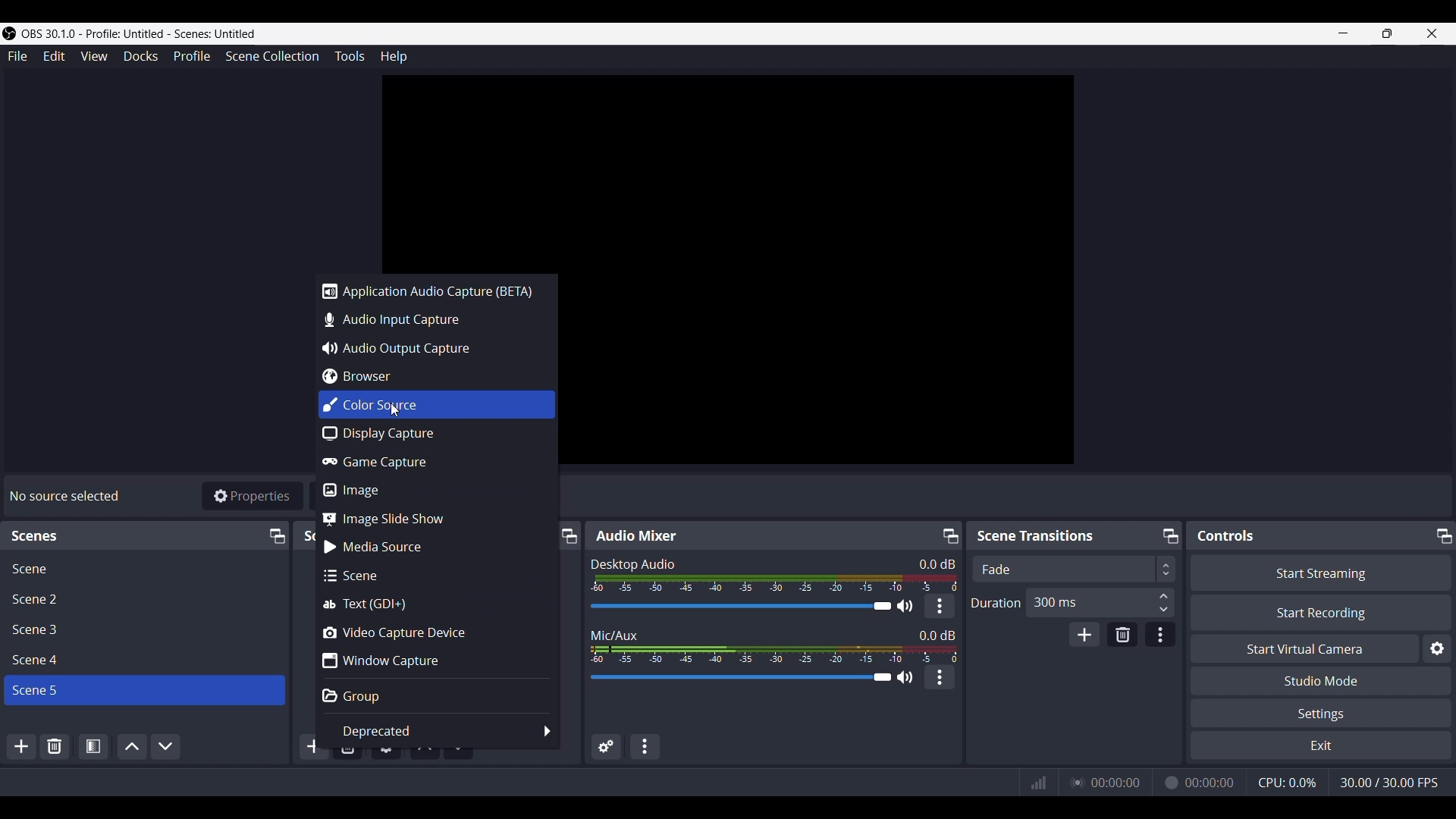 This screenshot has width=1456, height=819. I want to click on Recording, so click(1169, 782).